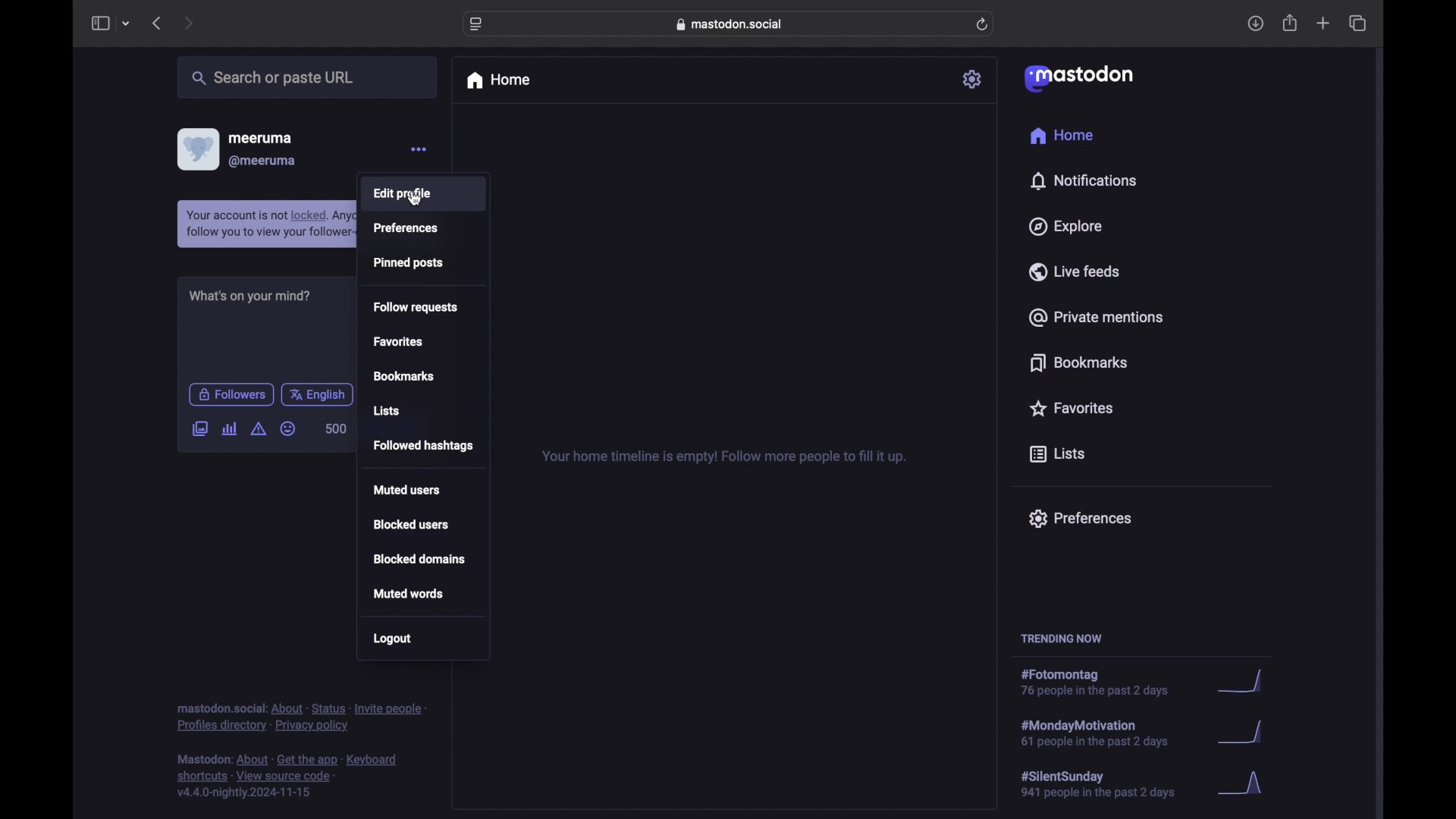  What do you see at coordinates (156, 24) in the screenshot?
I see `back` at bounding box center [156, 24].